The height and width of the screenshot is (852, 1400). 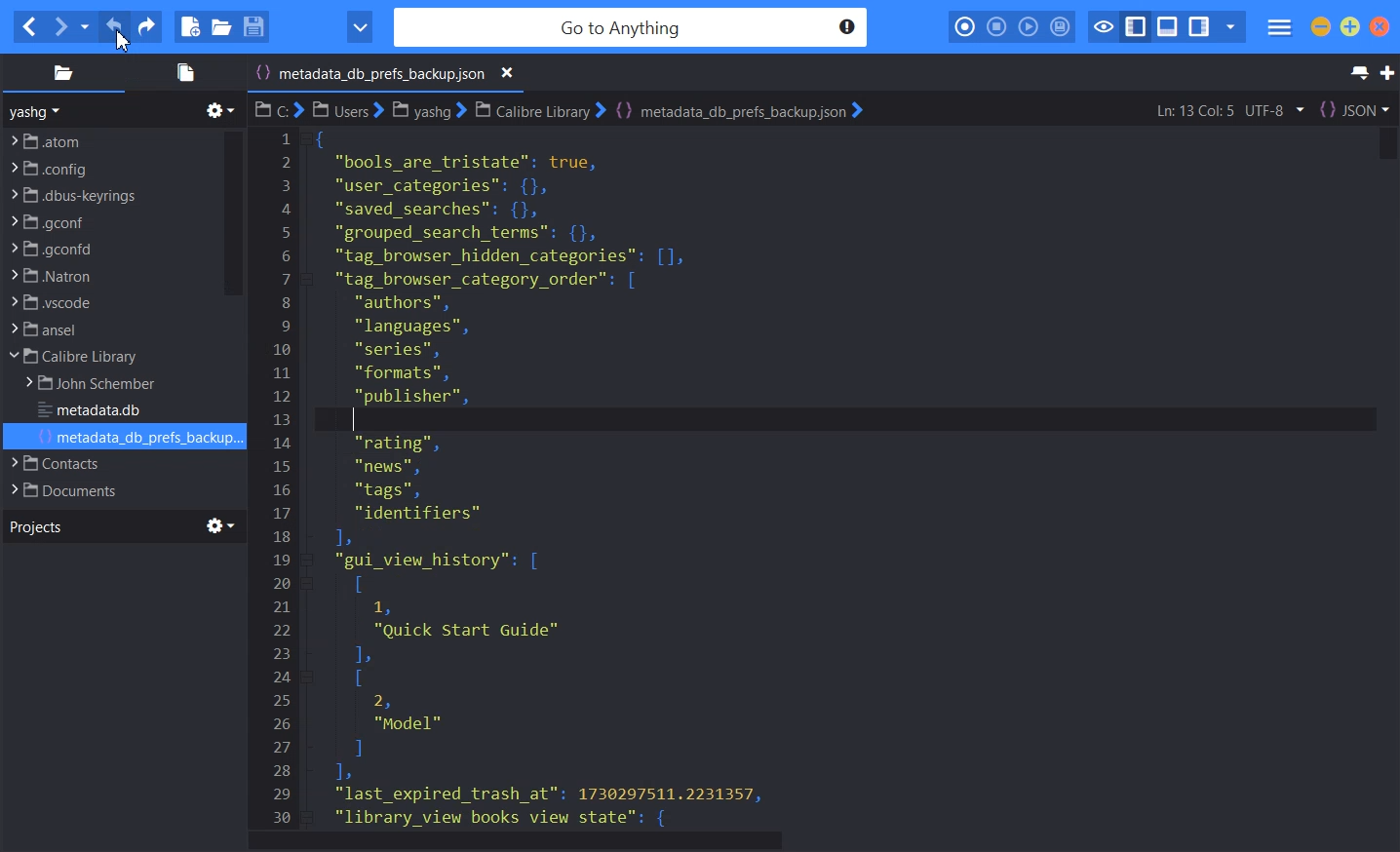 What do you see at coordinates (1168, 27) in the screenshot?
I see `Show/hide bottom pane` at bounding box center [1168, 27].